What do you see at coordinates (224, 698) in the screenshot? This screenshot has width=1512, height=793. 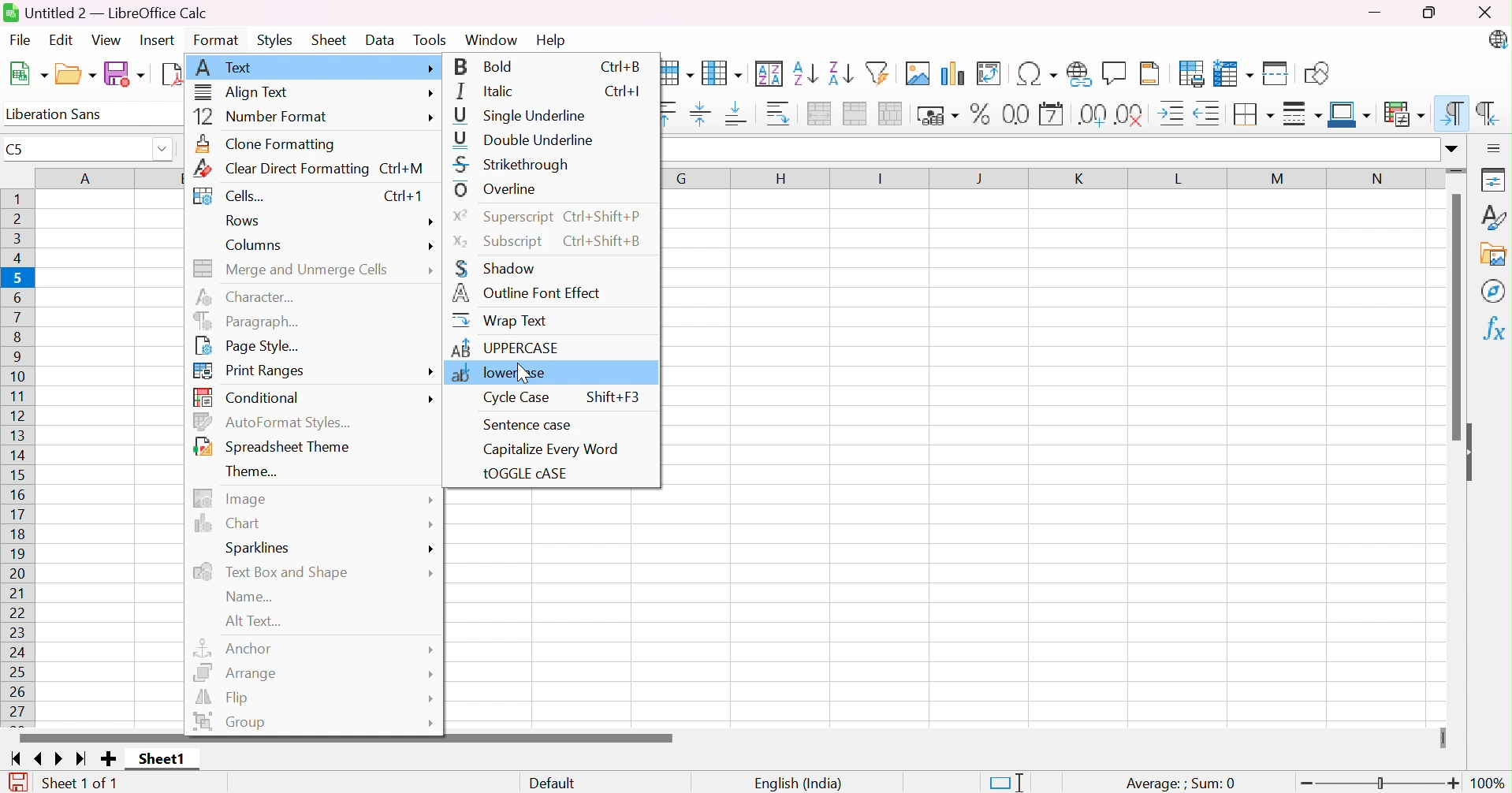 I see `Flip` at bounding box center [224, 698].